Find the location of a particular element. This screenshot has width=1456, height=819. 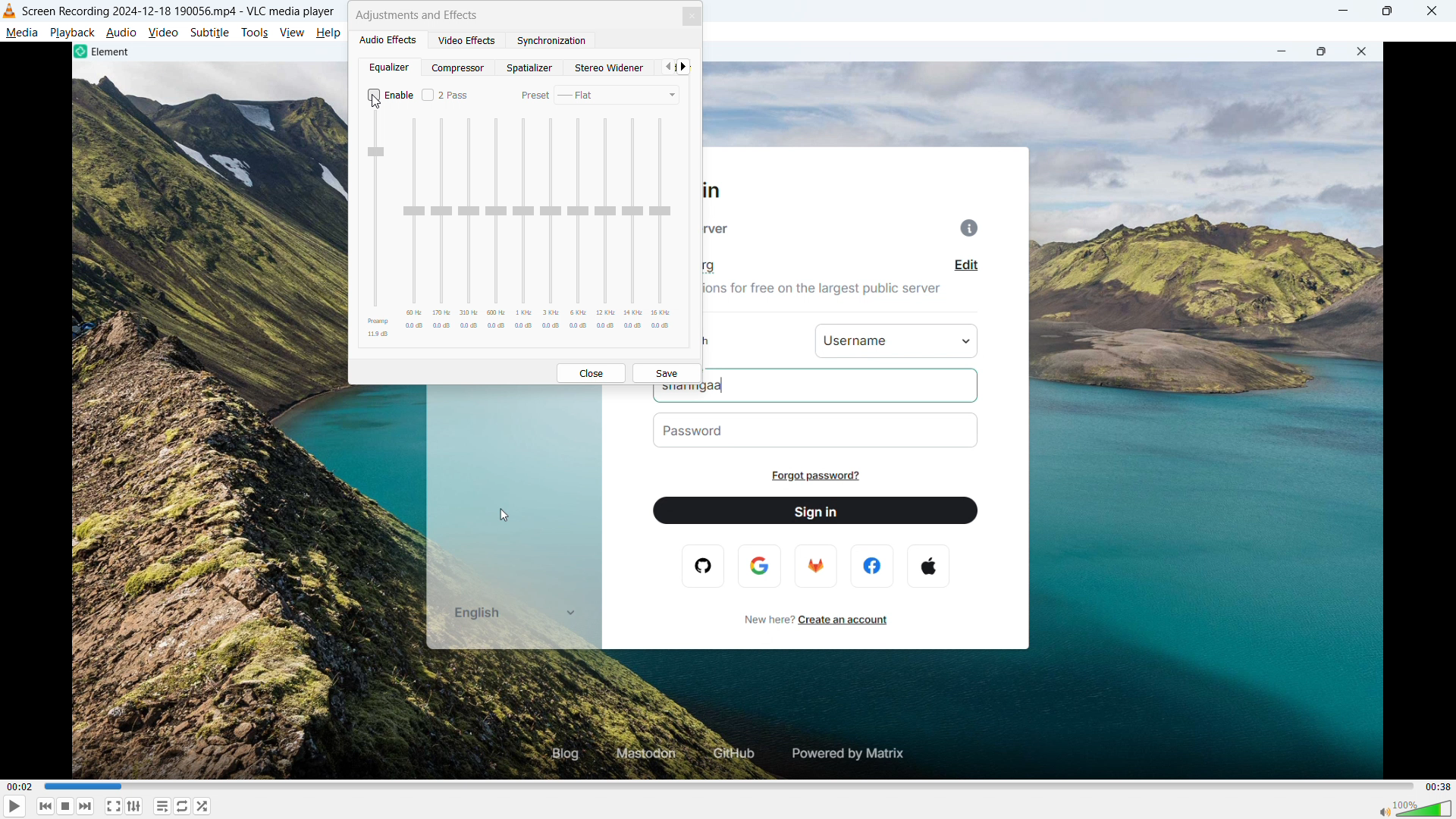

Previous tab  is located at coordinates (667, 67).